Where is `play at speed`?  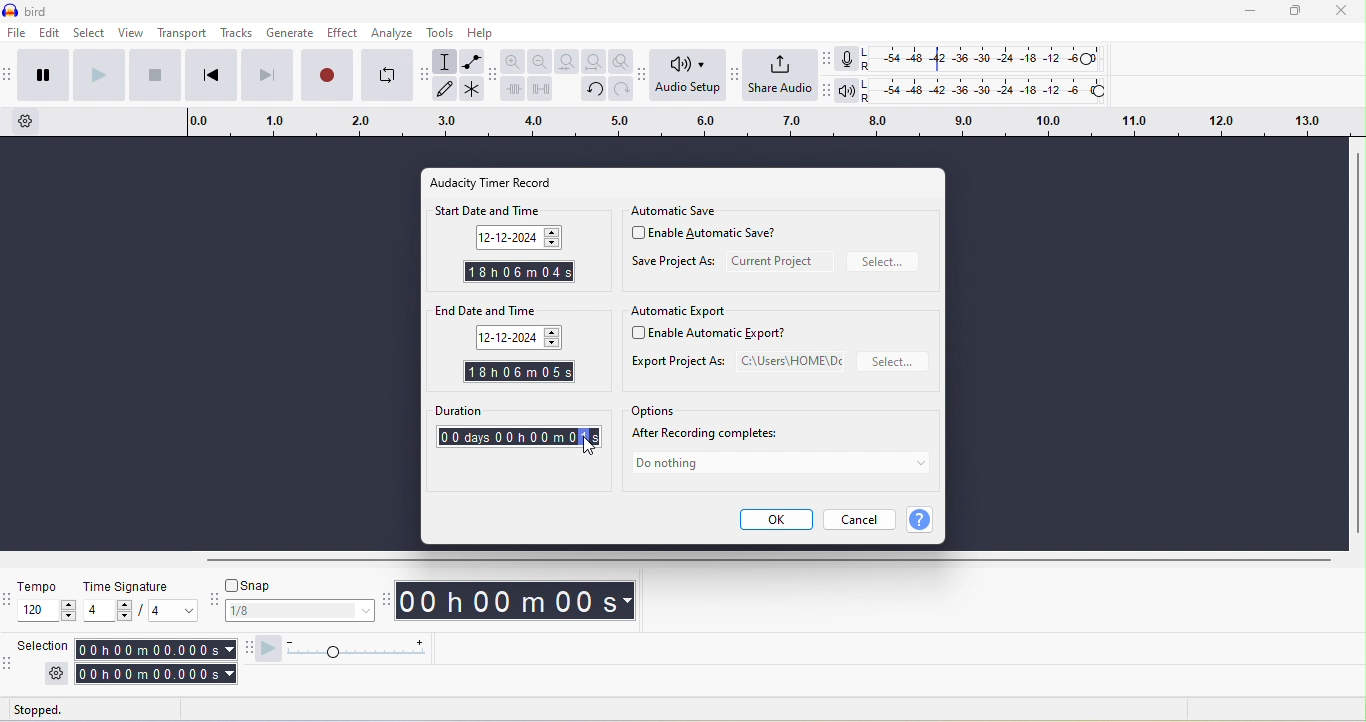 play at speed is located at coordinates (357, 649).